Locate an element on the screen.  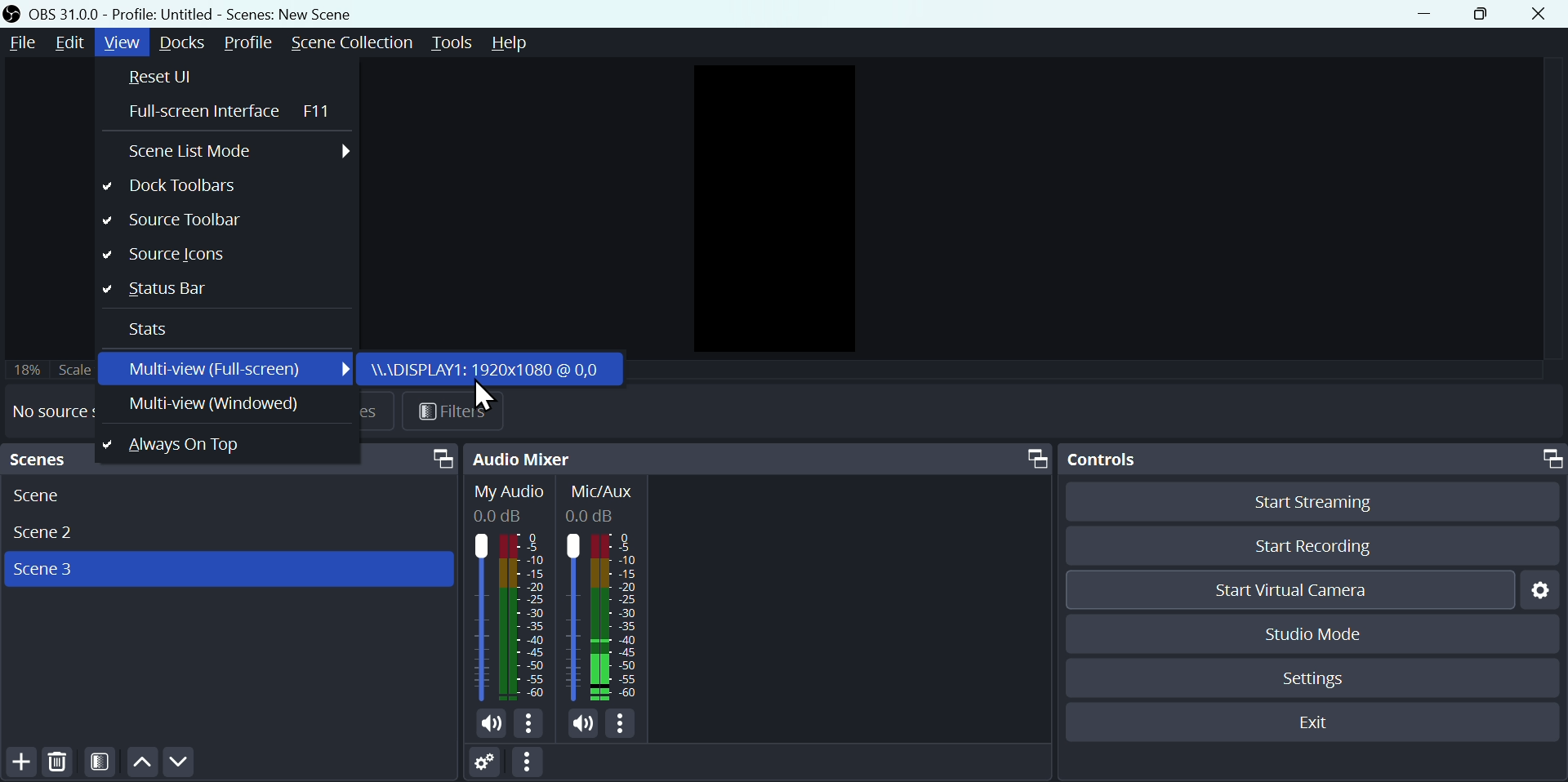
View is located at coordinates (123, 43).